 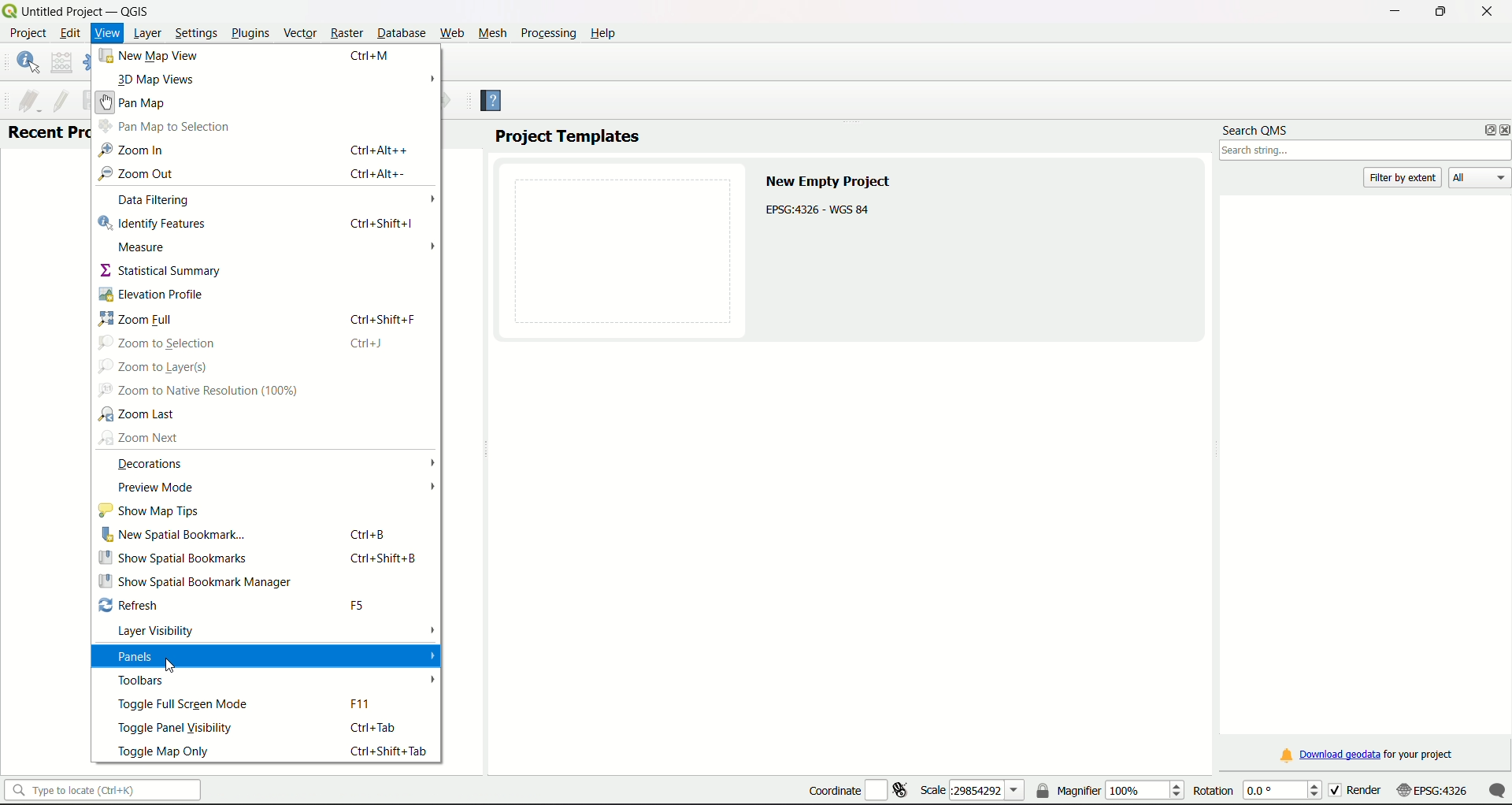 What do you see at coordinates (385, 559) in the screenshot?
I see `Ctrl+Shift+B` at bounding box center [385, 559].